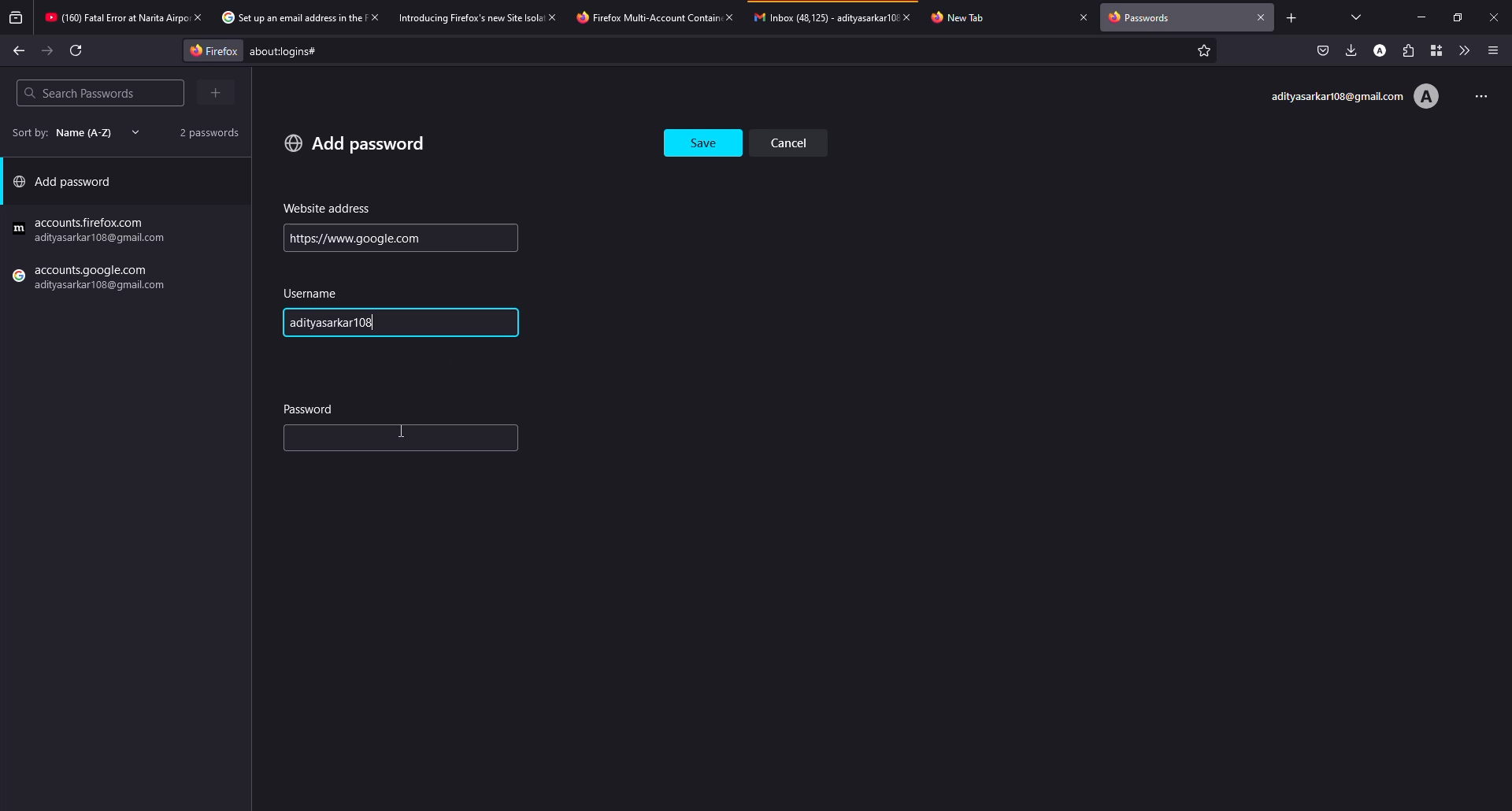  Describe the element at coordinates (19, 50) in the screenshot. I see `back` at that location.